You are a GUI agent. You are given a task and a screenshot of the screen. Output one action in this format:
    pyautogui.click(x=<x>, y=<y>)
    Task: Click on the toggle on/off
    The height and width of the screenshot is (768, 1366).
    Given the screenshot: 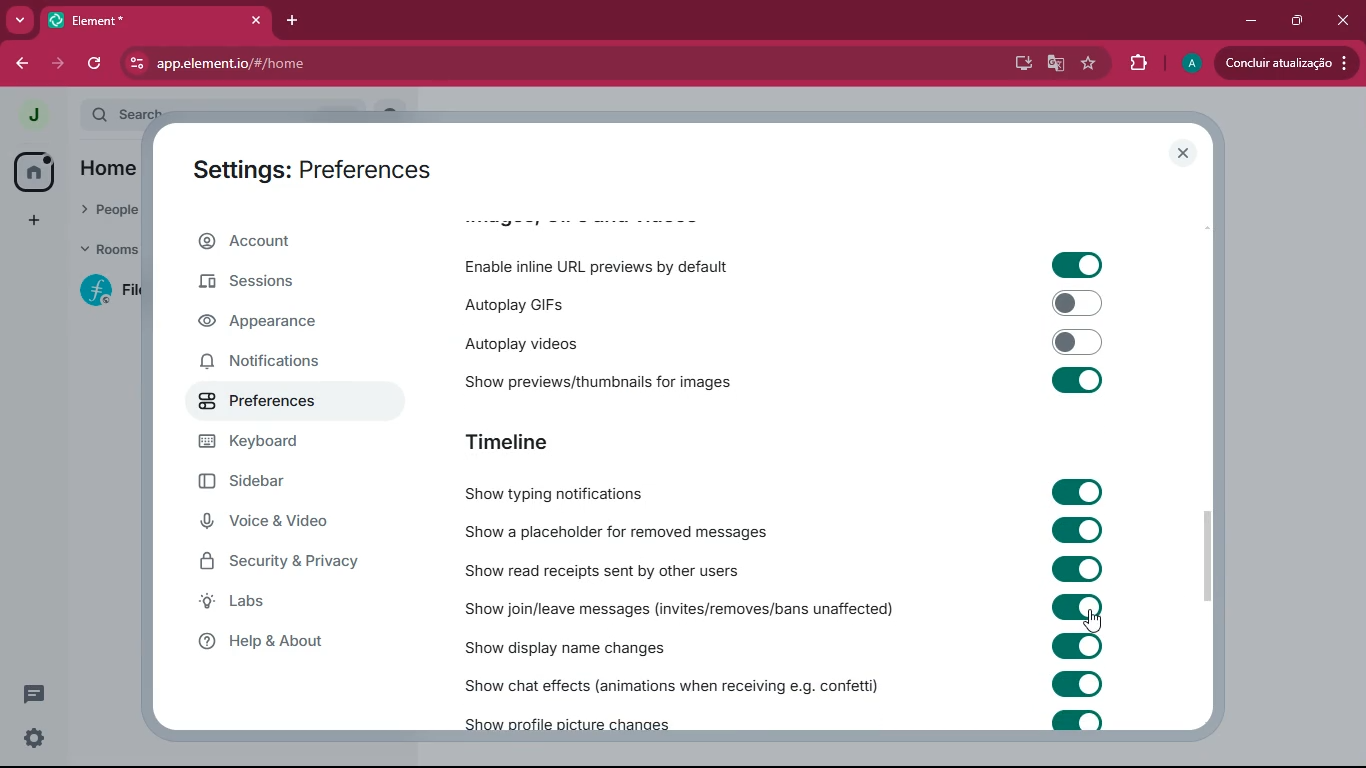 What is the action you would take?
    pyautogui.click(x=1078, y=647)
    